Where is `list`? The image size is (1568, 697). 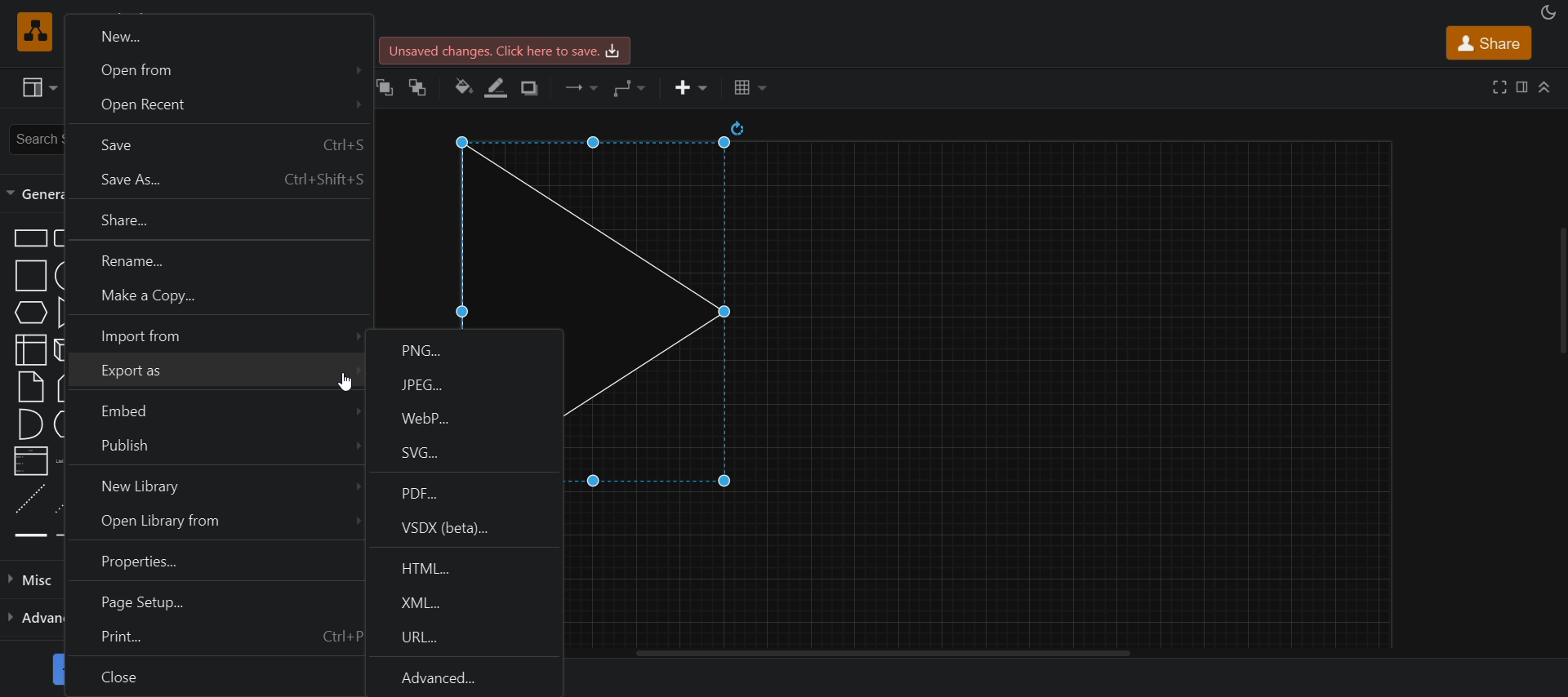 list is located at coordinates (31, 461).